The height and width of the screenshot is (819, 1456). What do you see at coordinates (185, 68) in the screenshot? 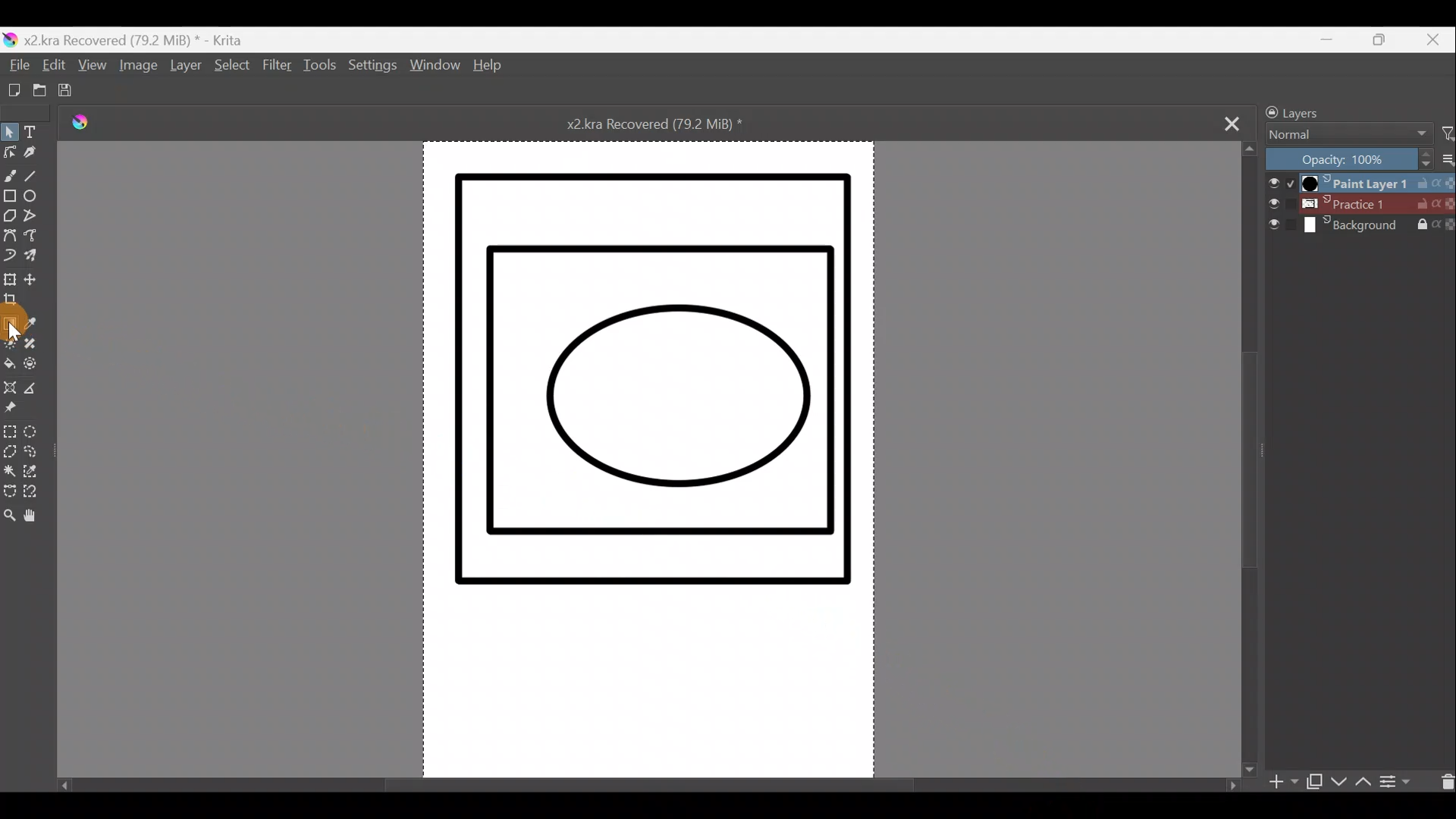
I see `Layer` at bounding box center [185, 68].